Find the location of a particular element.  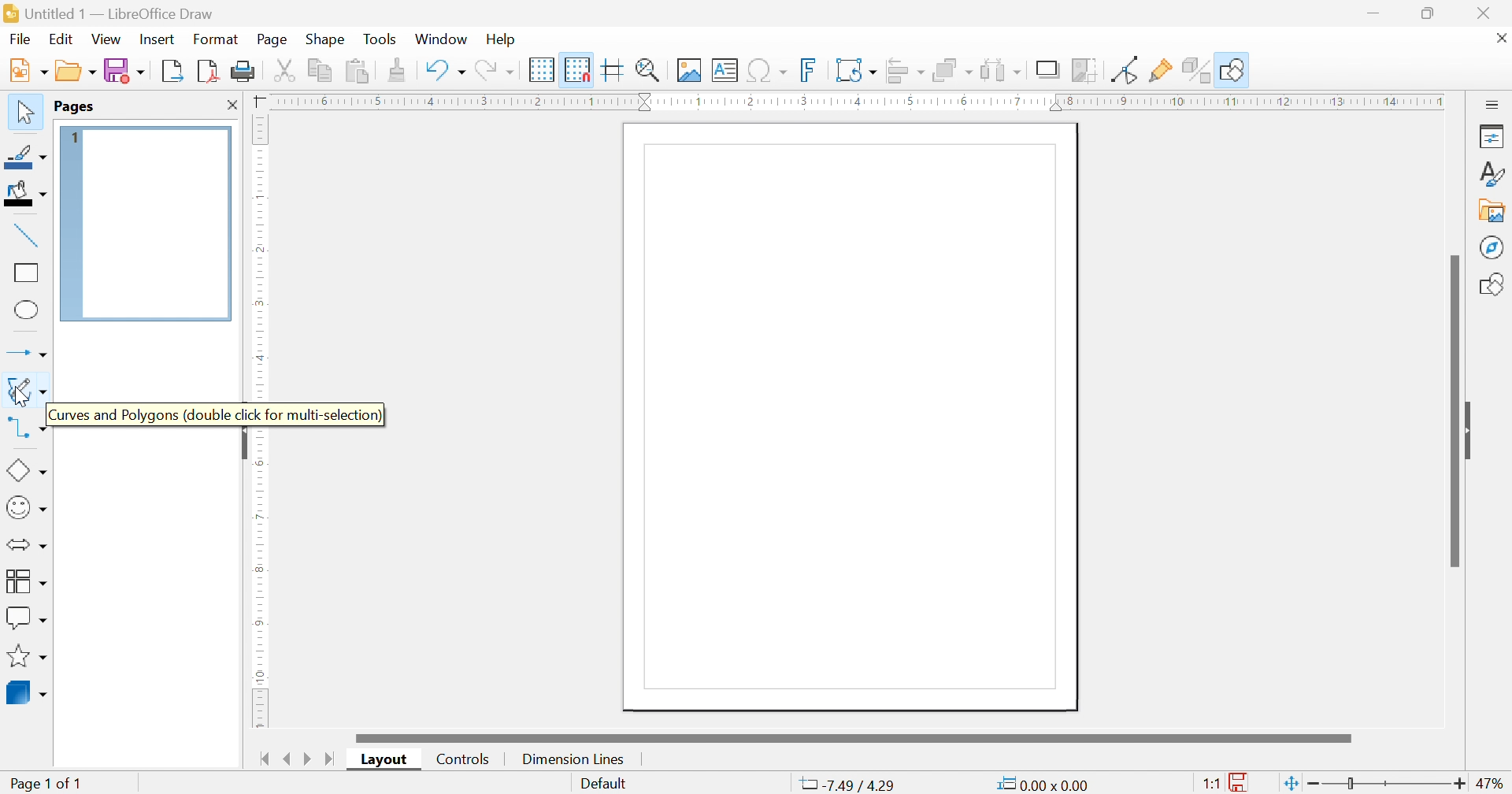

helplines while moving is located at coordinates (610, 69).